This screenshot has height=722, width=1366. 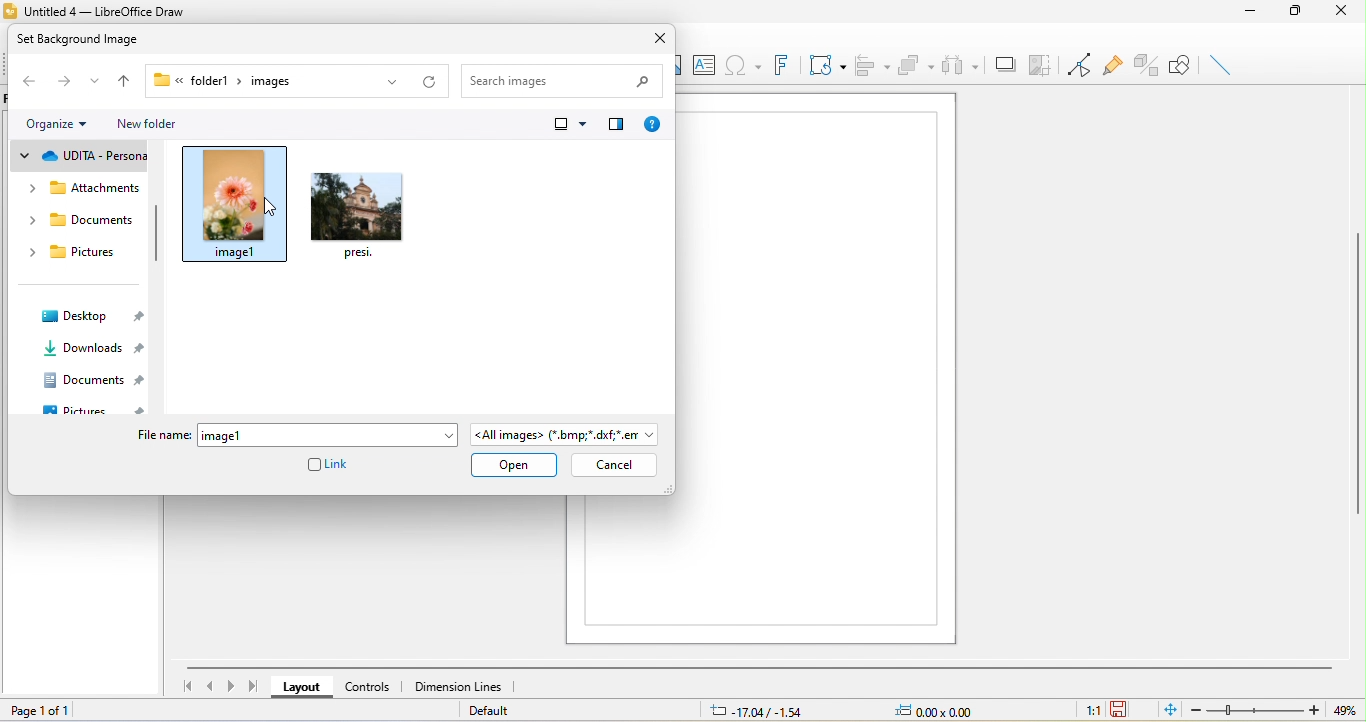 What do you see at coordinates (947, 709) in the screenshot?
I see `0.00x0.00` at bounding box center [947, 709].